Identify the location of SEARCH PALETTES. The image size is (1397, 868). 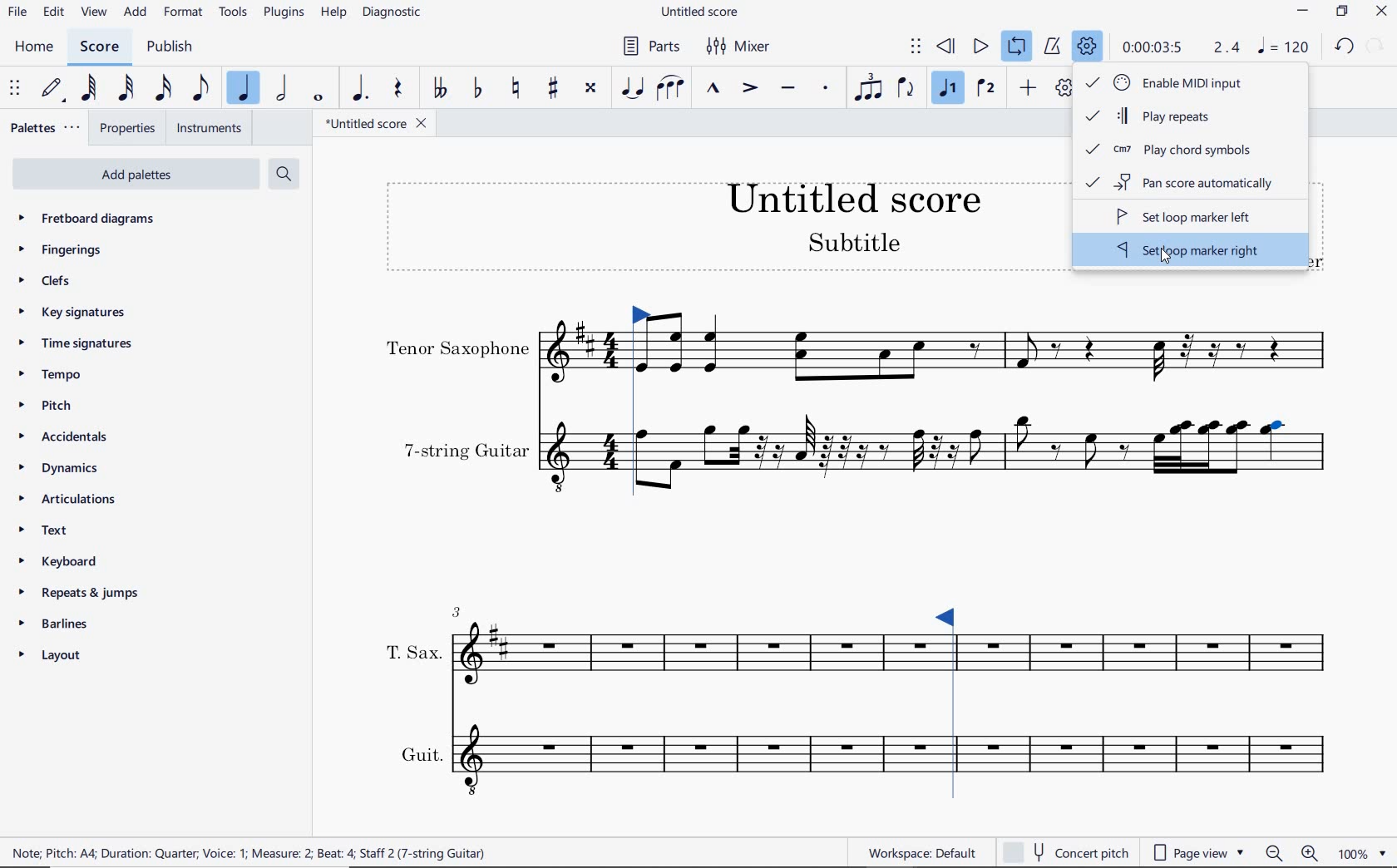
(284, 173).